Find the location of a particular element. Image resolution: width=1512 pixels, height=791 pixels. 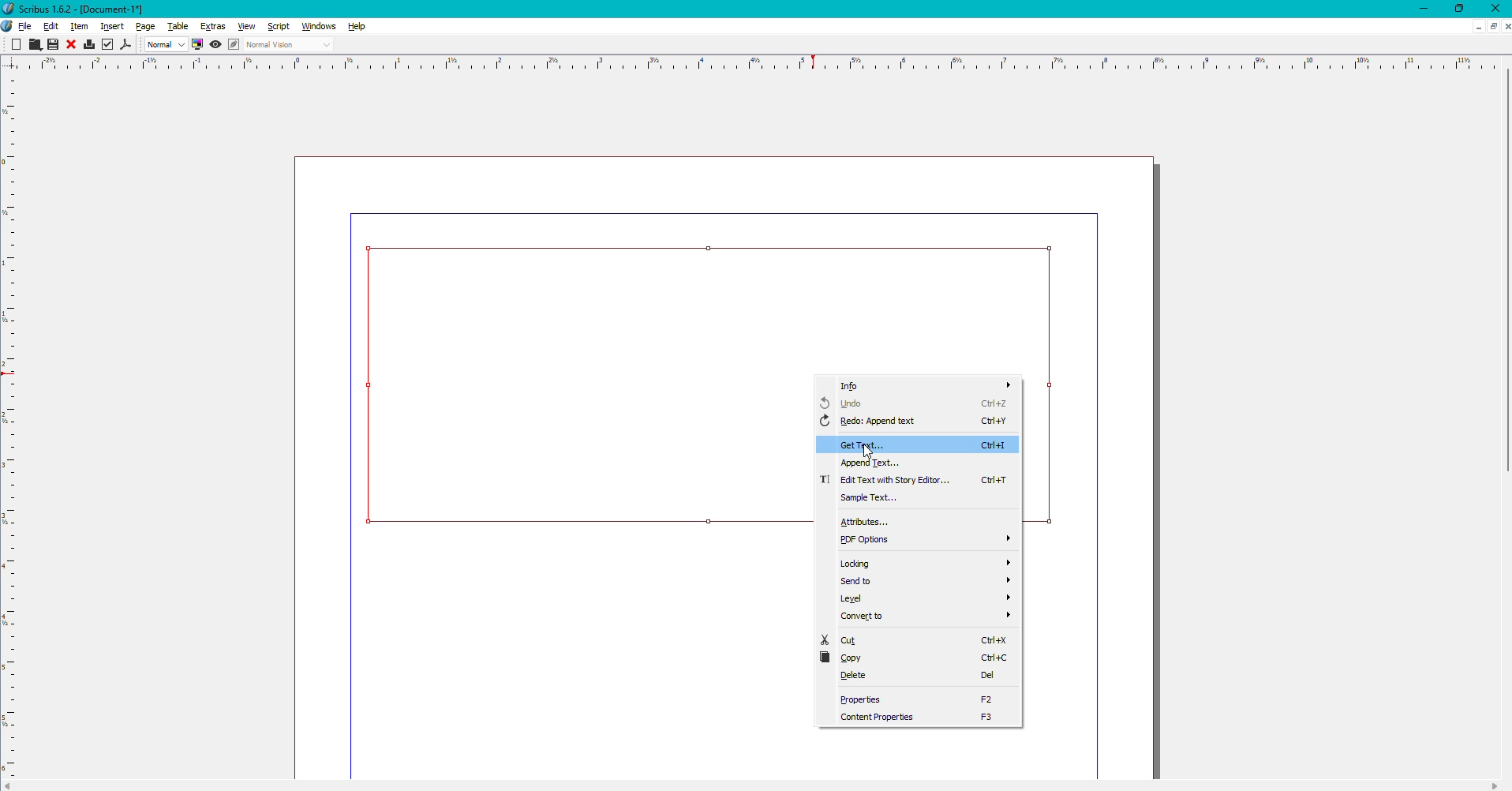

Content Properties is located at coordinates (918, 717).